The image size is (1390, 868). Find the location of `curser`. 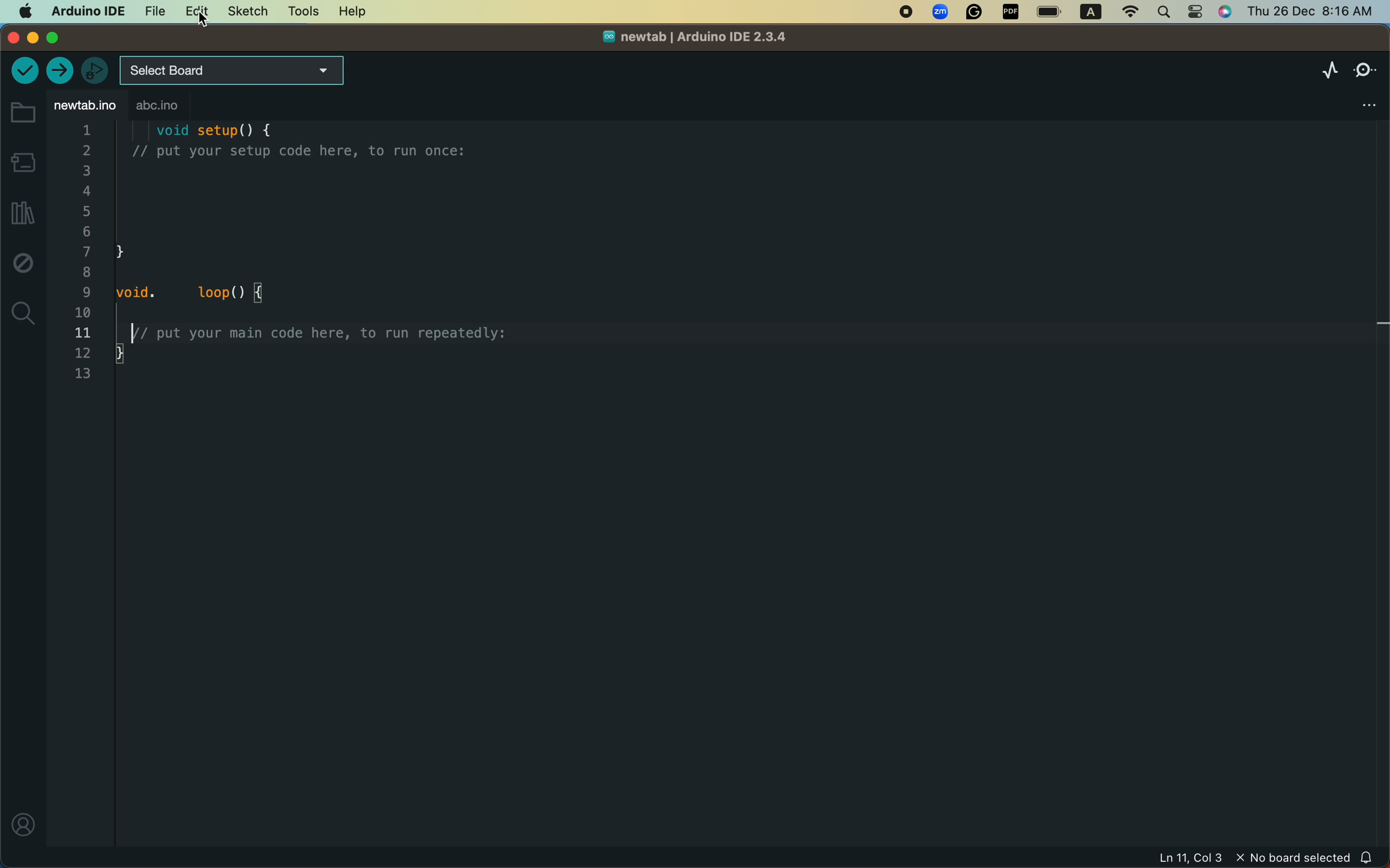

curser is located at coordinates (206, 21).